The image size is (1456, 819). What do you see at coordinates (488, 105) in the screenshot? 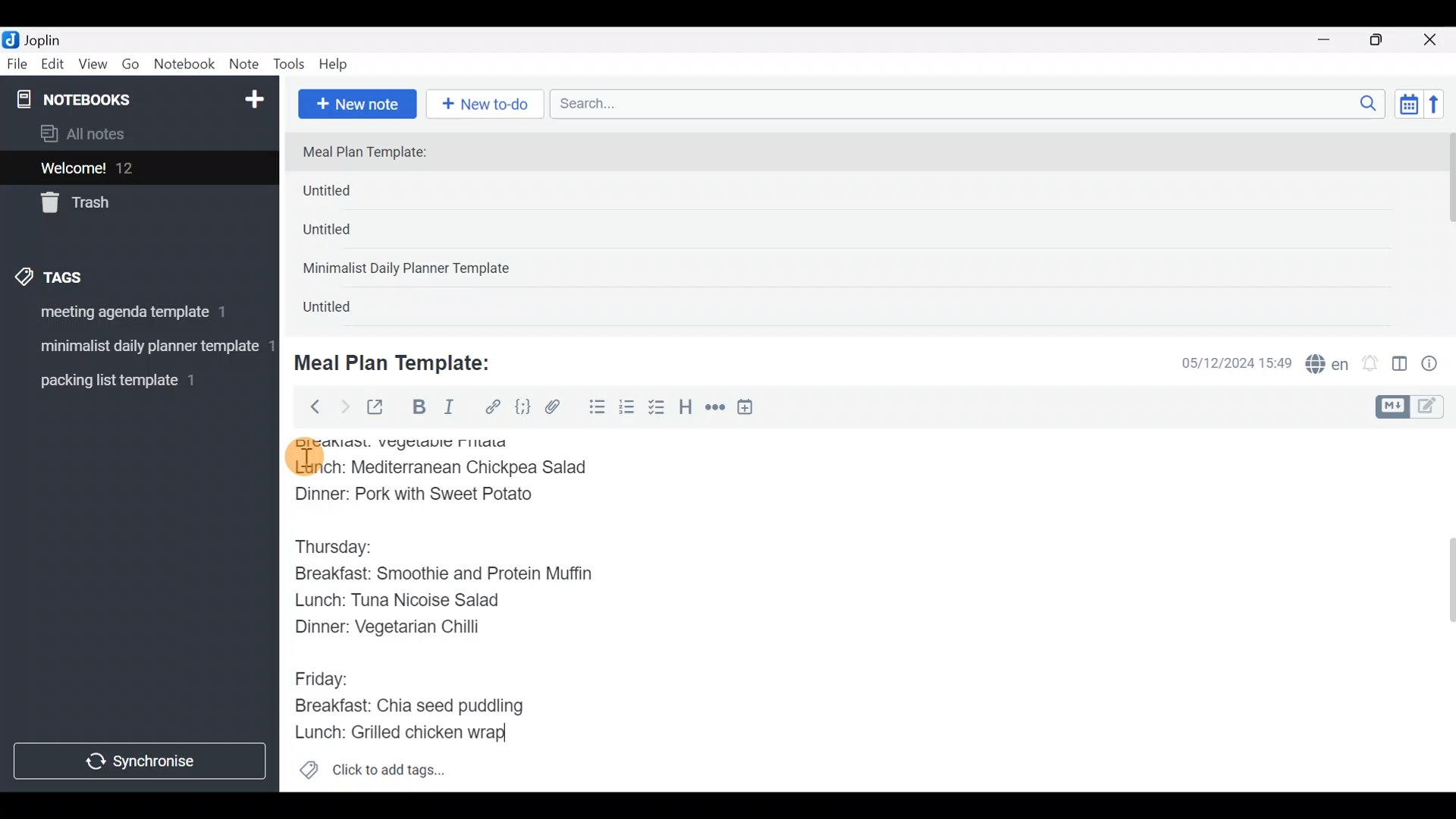
I see `New to-do` at bounding box center [488, 105].